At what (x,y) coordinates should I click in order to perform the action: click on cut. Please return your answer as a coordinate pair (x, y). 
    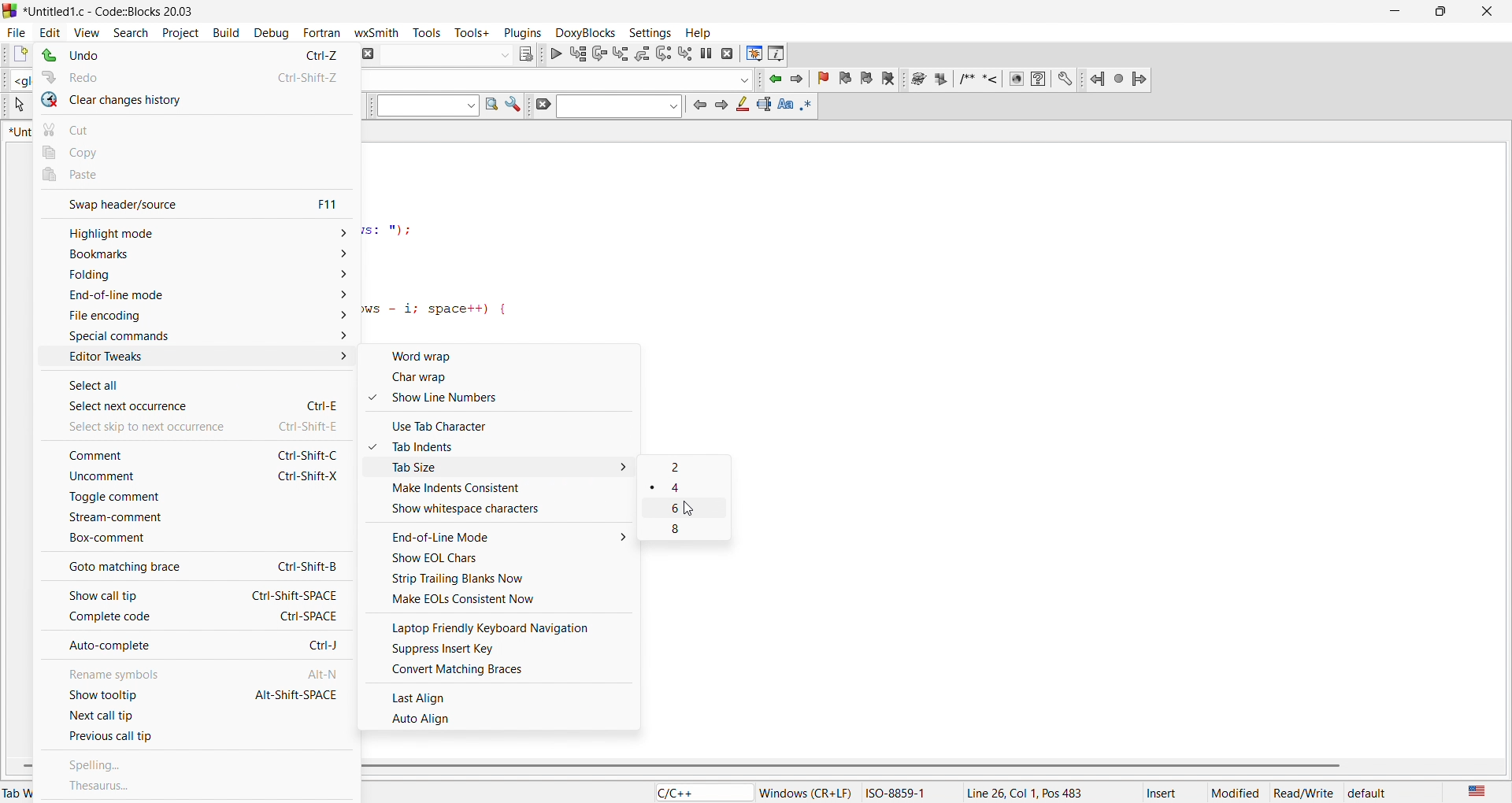
    Looking at the image, I should click on (194, 128).